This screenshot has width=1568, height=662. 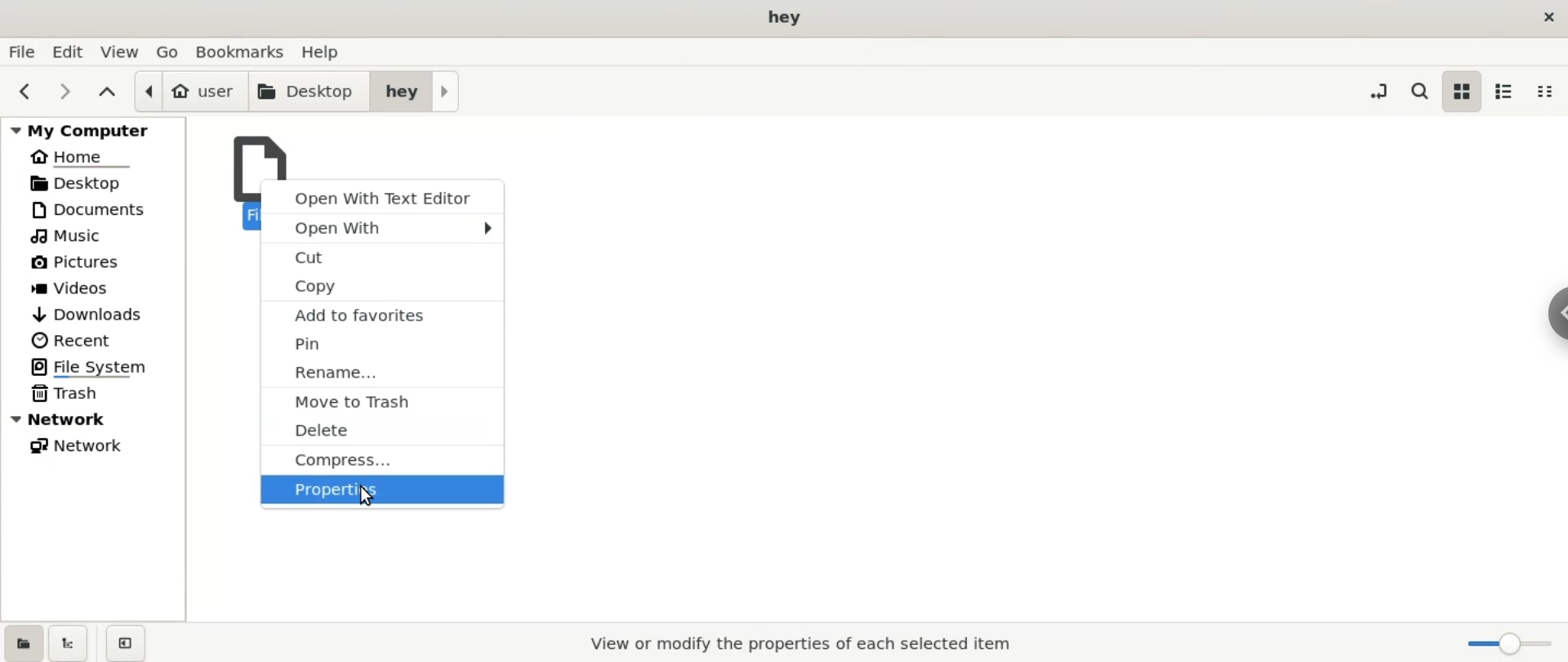 I want to click on file system, so click(x=93, y=368).